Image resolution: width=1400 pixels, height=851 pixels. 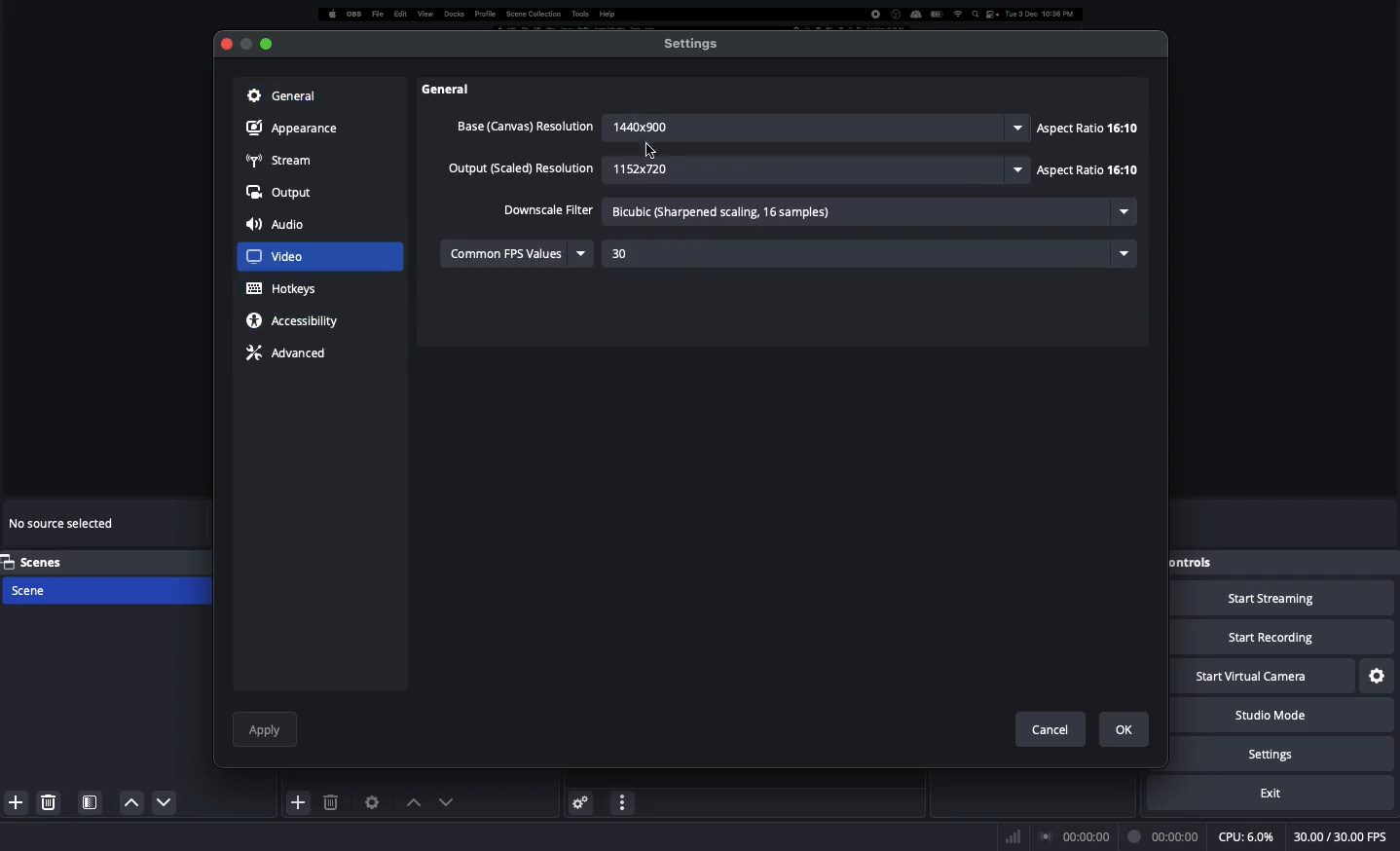 What do you see at coordinates (333, 802) in the screenshot?
I see `Delete` at bounding box center [333, 802].